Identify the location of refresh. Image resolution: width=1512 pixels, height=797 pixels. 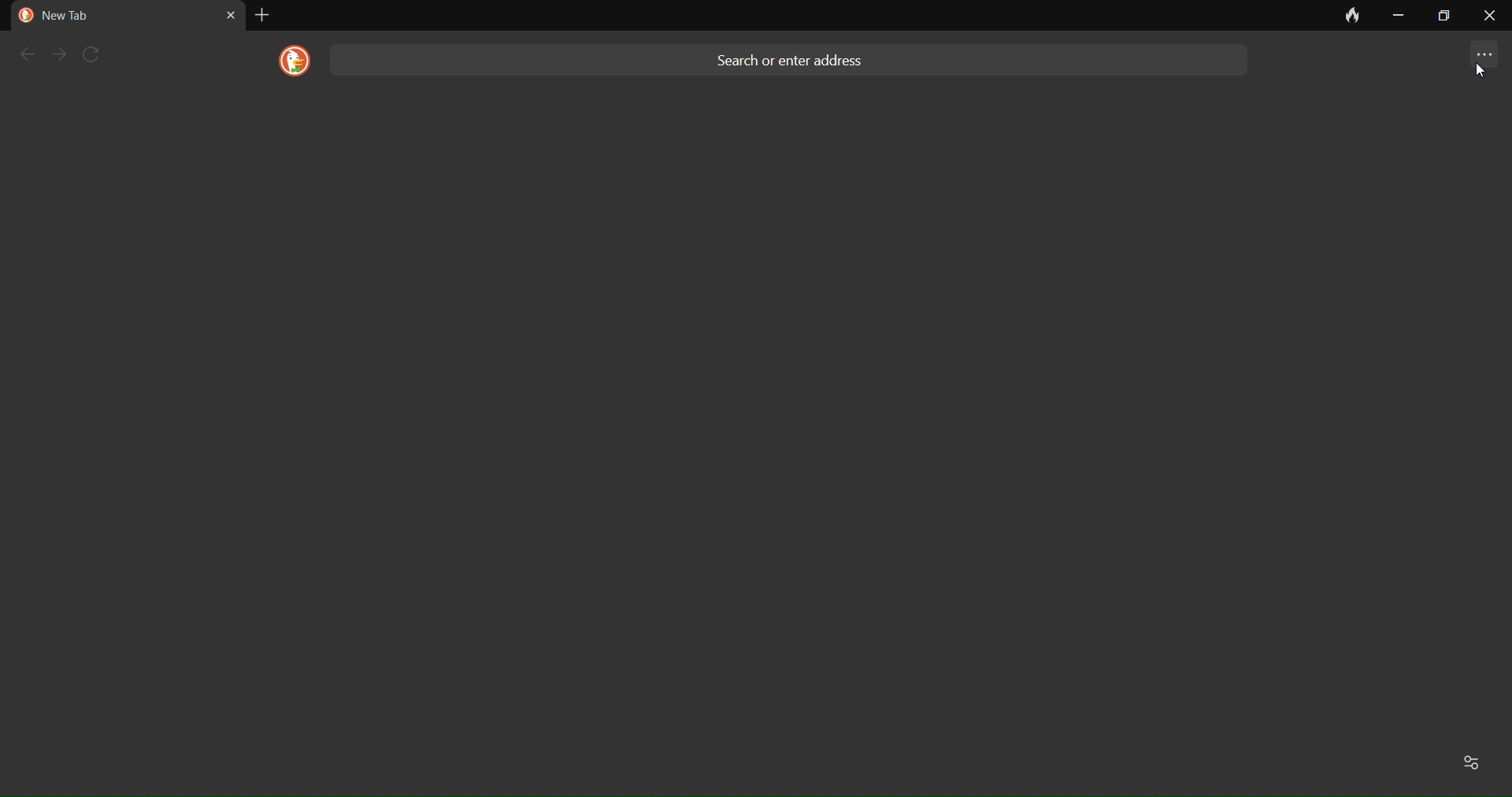
(98, 54).